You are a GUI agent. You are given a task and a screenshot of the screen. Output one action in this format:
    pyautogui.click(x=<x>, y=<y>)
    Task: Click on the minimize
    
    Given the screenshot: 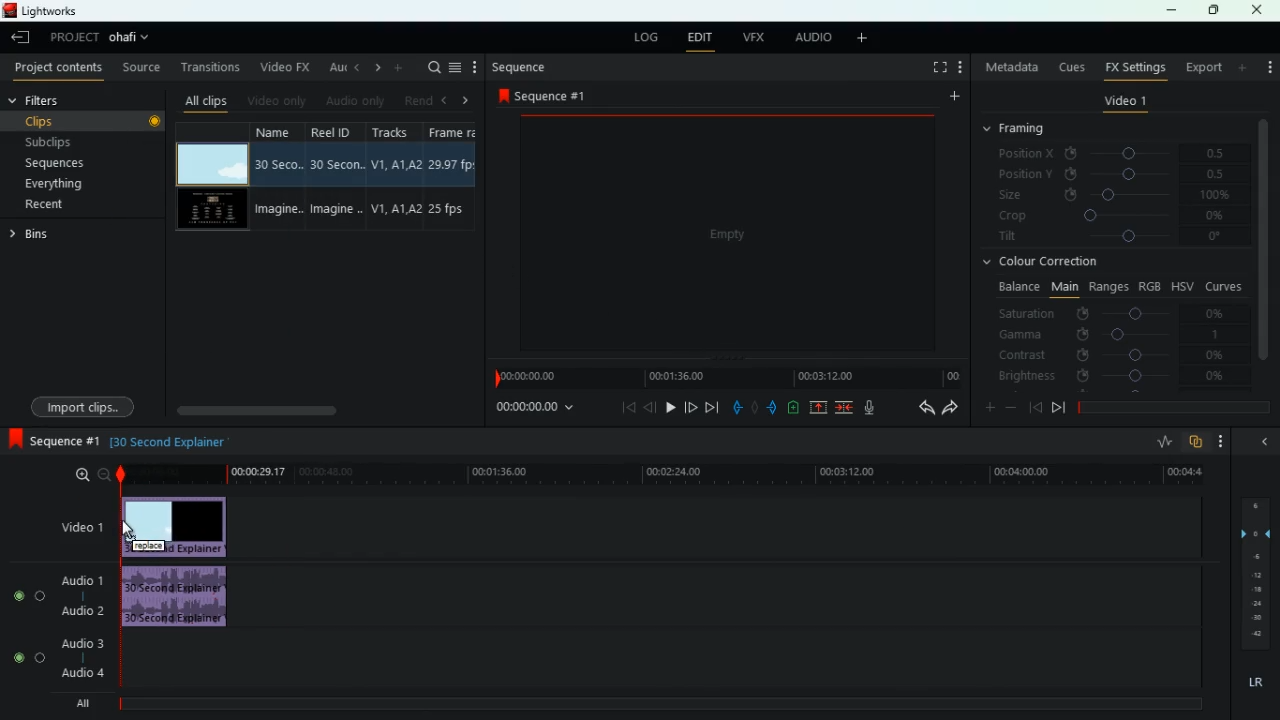 What is the action you would take?
    pyautogui.click(x=1171, y=12)
    